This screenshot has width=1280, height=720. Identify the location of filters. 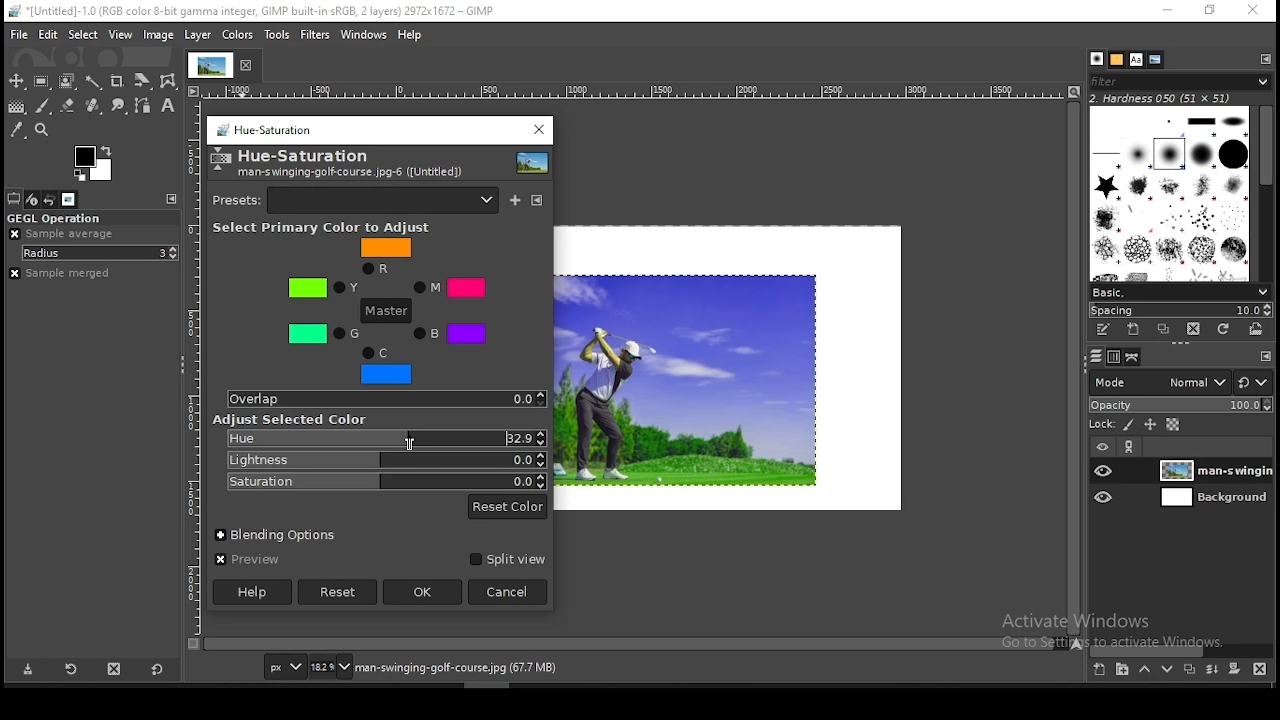
(314, 35).